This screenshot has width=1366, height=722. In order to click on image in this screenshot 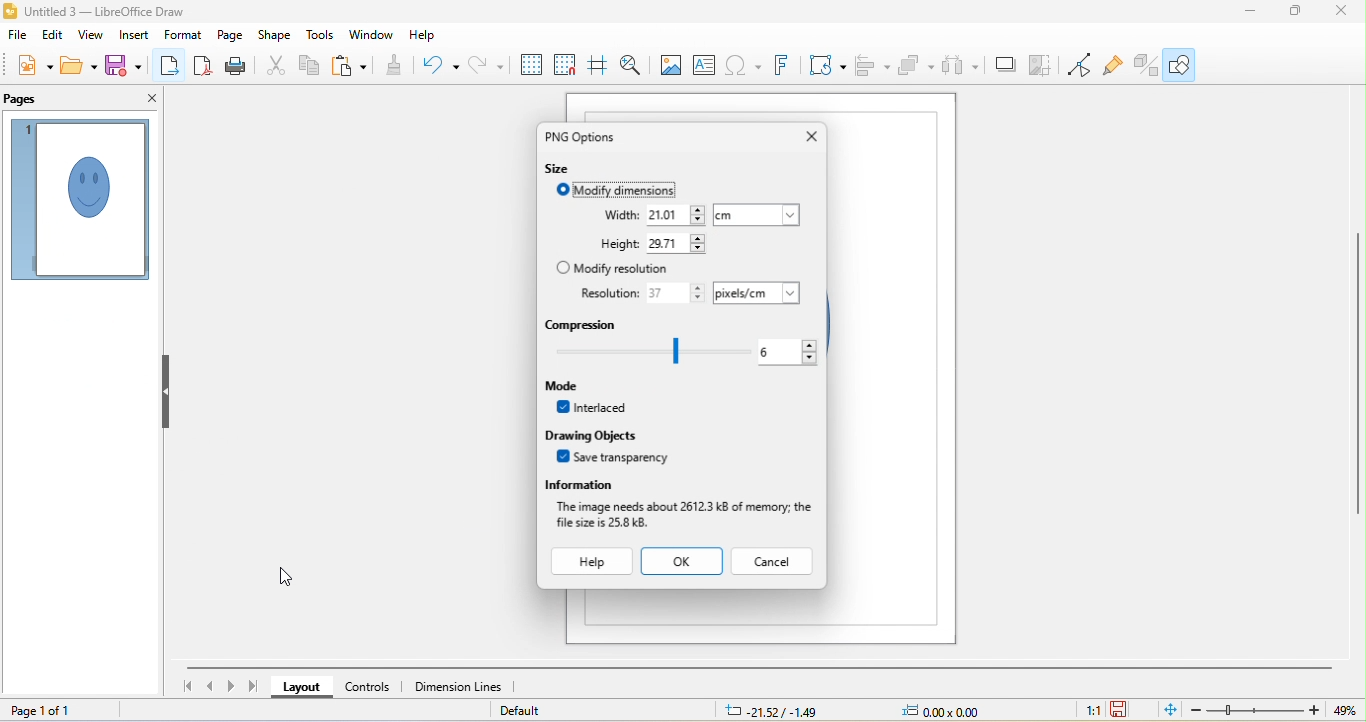, I will do `click(670, 64)`.